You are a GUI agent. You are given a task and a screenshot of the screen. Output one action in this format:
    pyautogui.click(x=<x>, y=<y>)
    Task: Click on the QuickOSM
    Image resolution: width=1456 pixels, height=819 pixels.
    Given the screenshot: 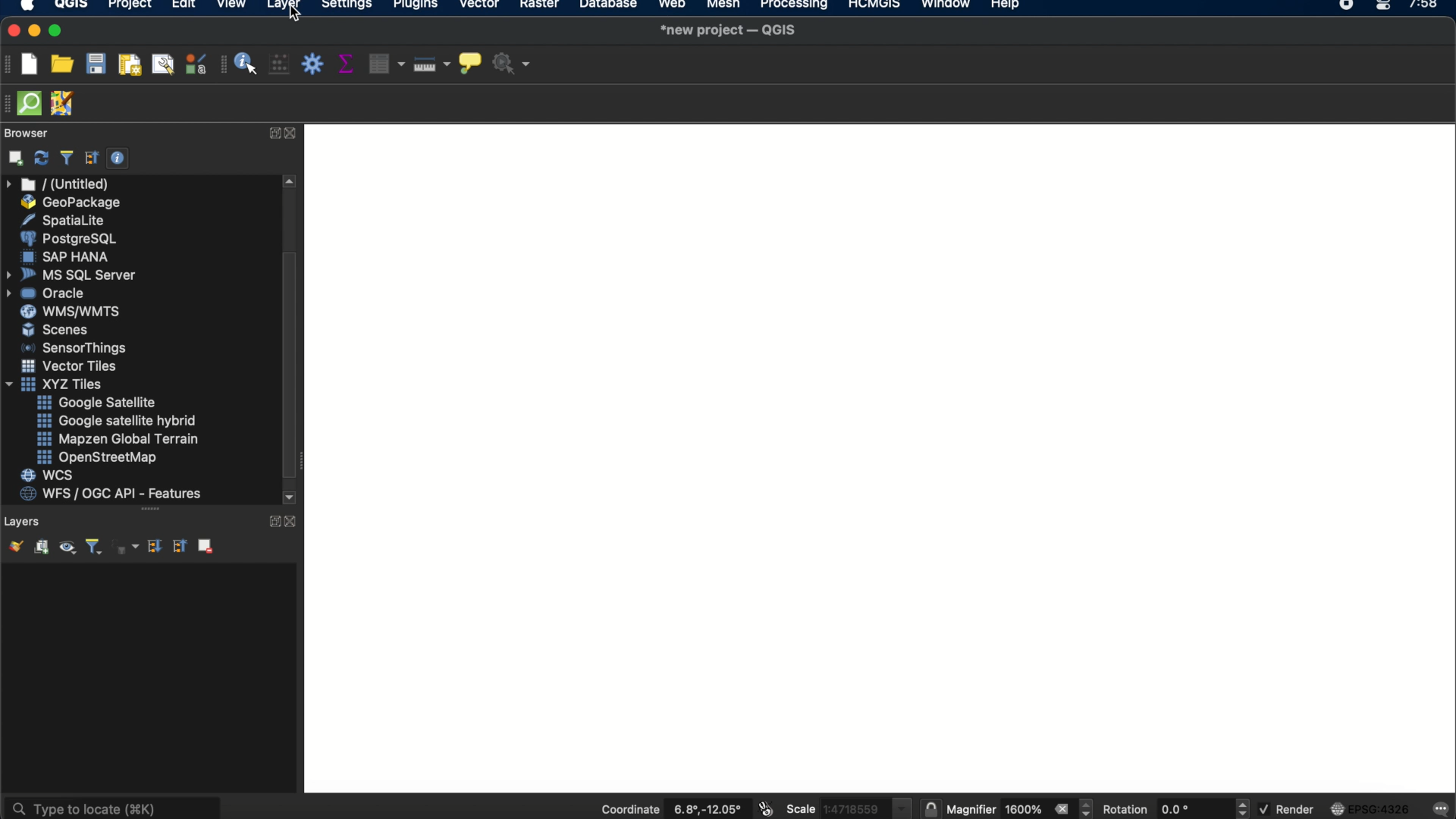 What is the action you would take?
    pyautogui.click(x=33, y=103)
    